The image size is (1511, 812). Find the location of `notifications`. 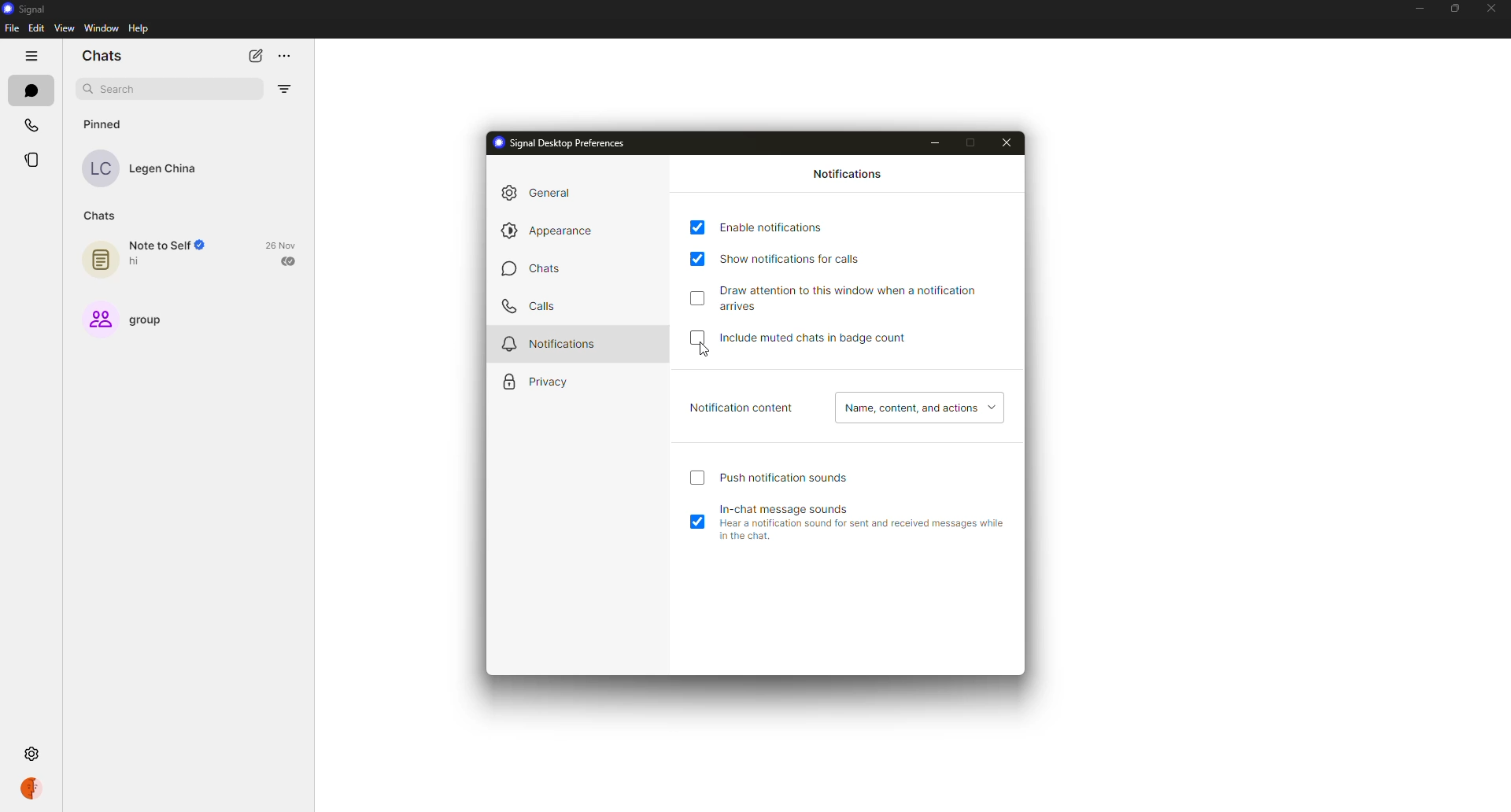

notifications is located at coordinates (848, 175).